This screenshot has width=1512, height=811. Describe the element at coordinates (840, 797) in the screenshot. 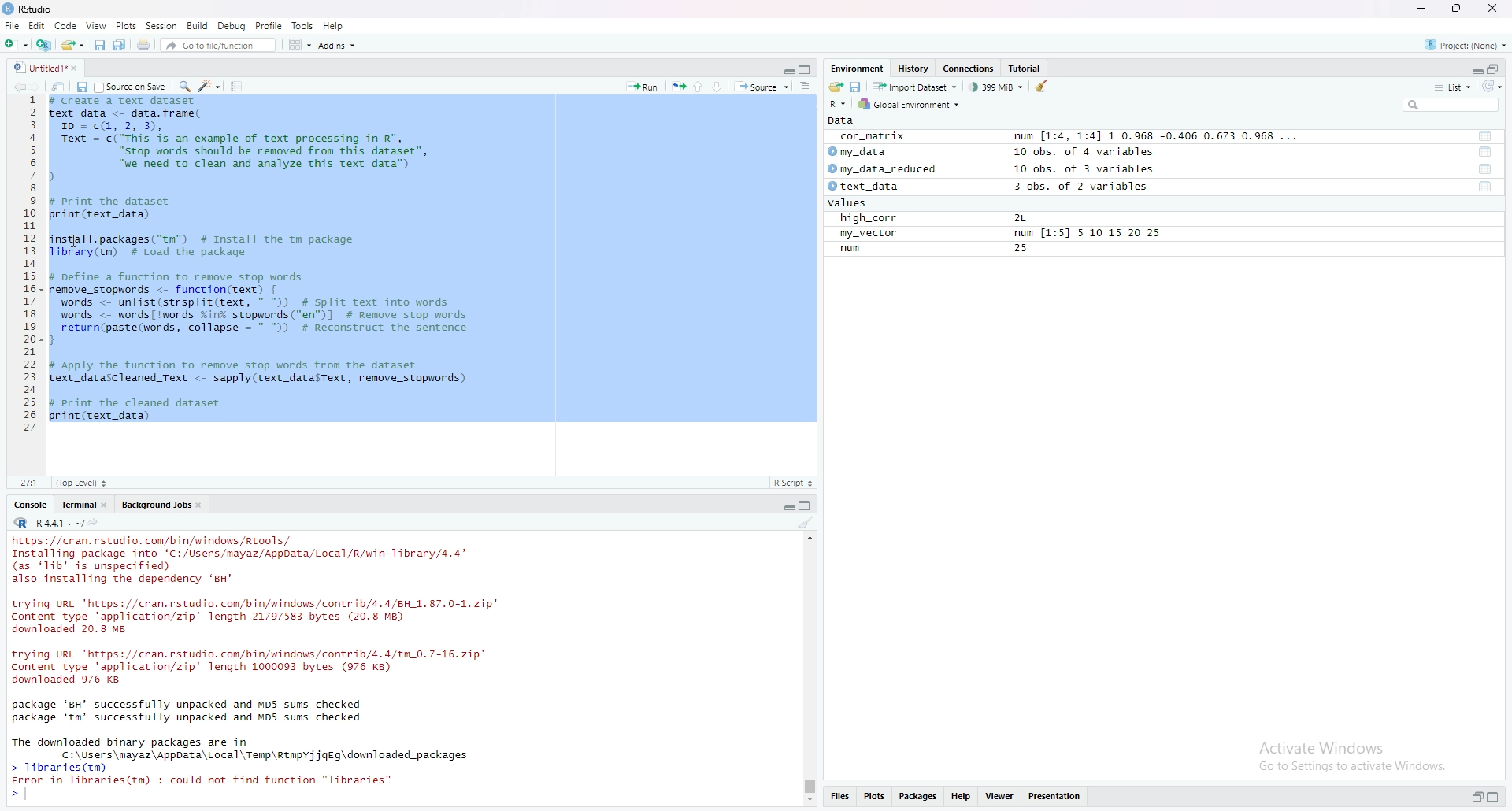

I see `files` at that location.